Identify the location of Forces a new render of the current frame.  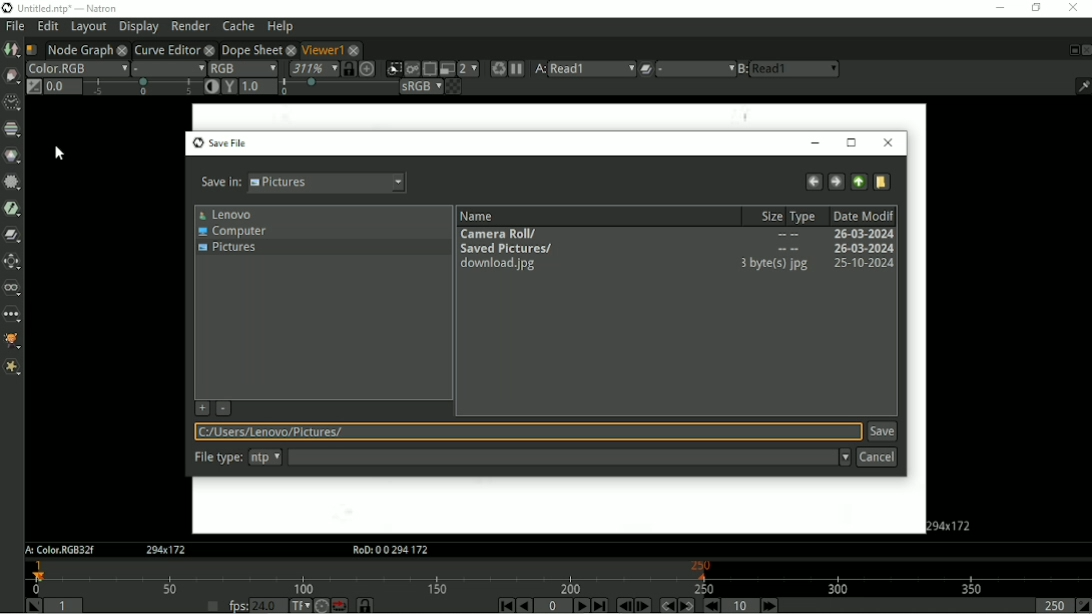
(496, 69).